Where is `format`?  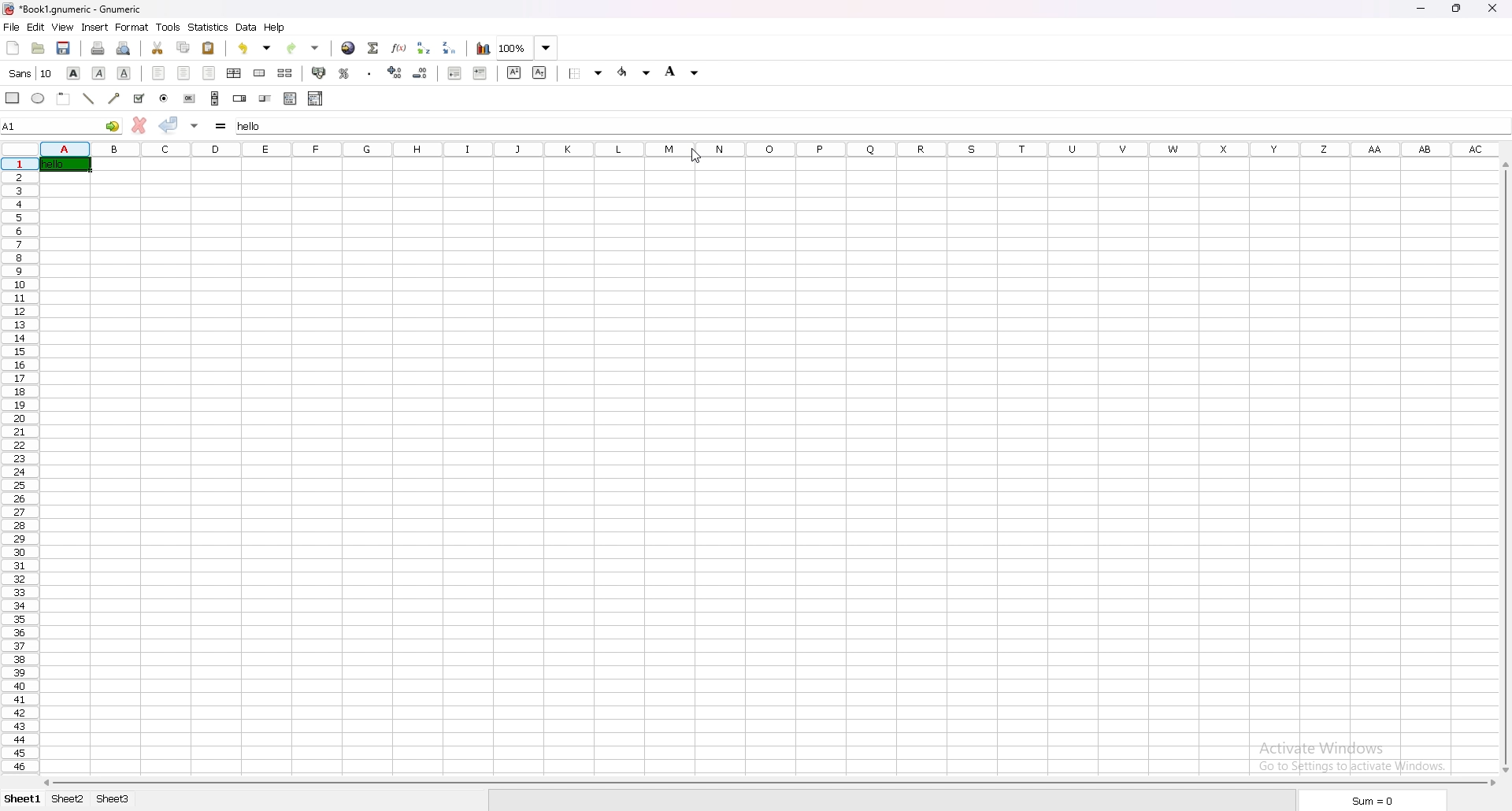
format is located at coordinates (133, 27).